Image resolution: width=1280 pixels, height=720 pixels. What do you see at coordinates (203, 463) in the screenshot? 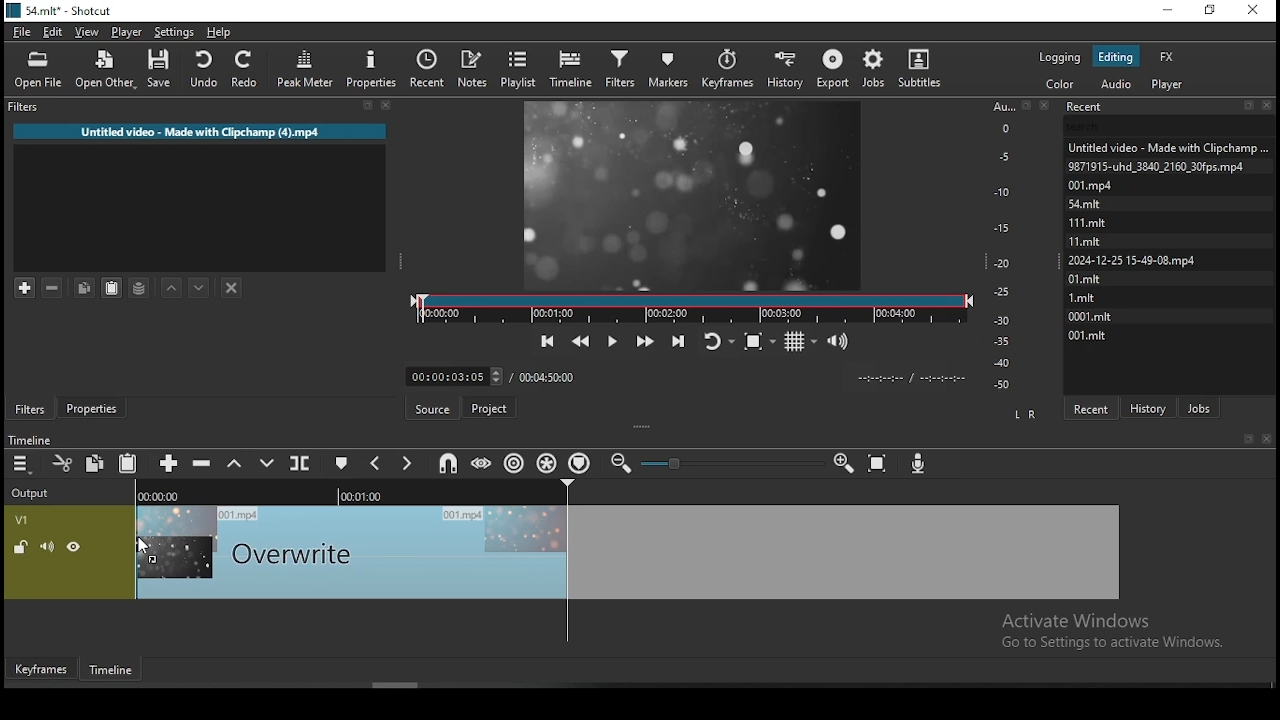
I see `ripple delete` at bounding box center [203, 463].